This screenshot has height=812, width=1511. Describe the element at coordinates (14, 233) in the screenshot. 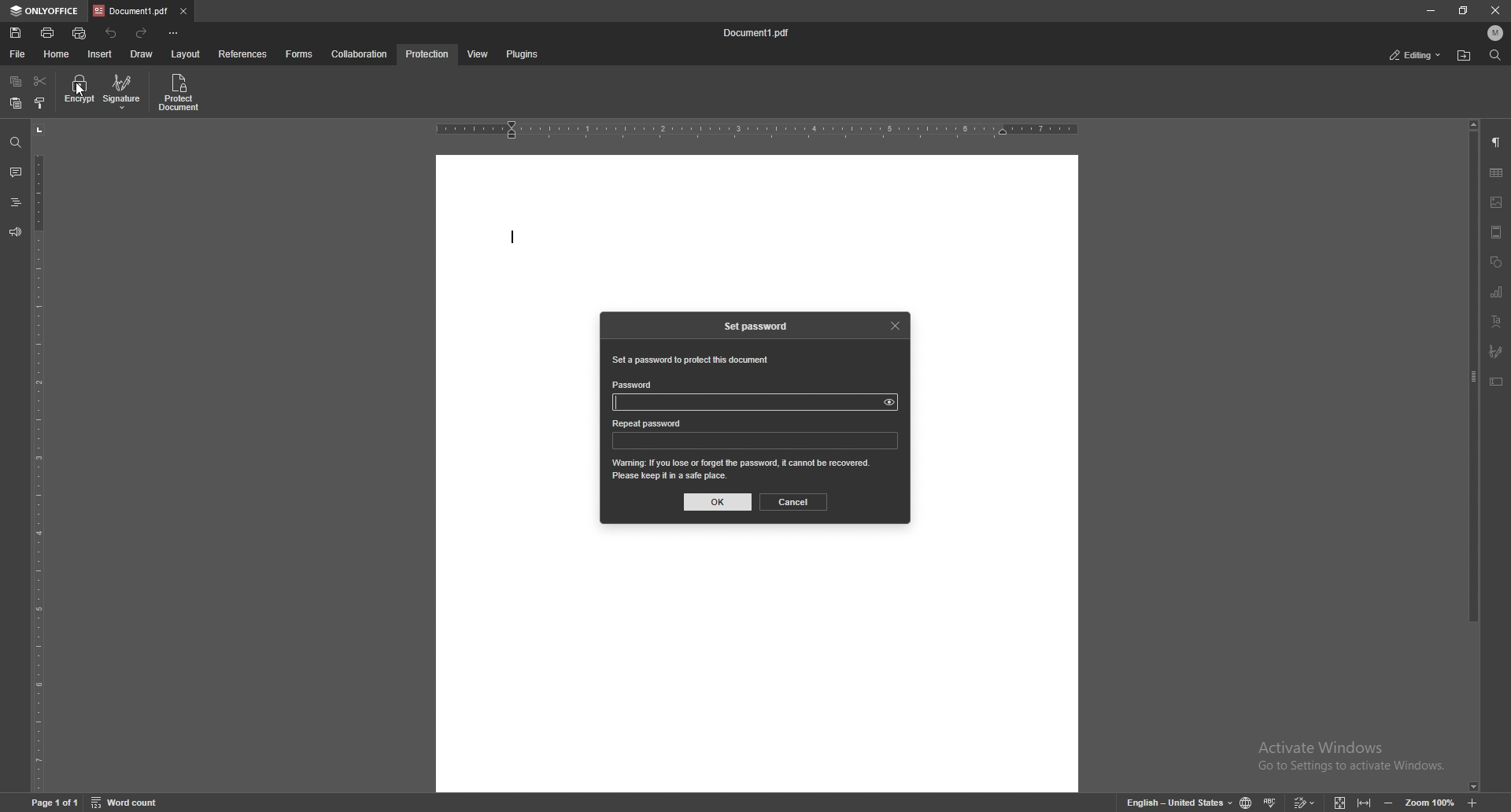

I see `feedback` at that location.